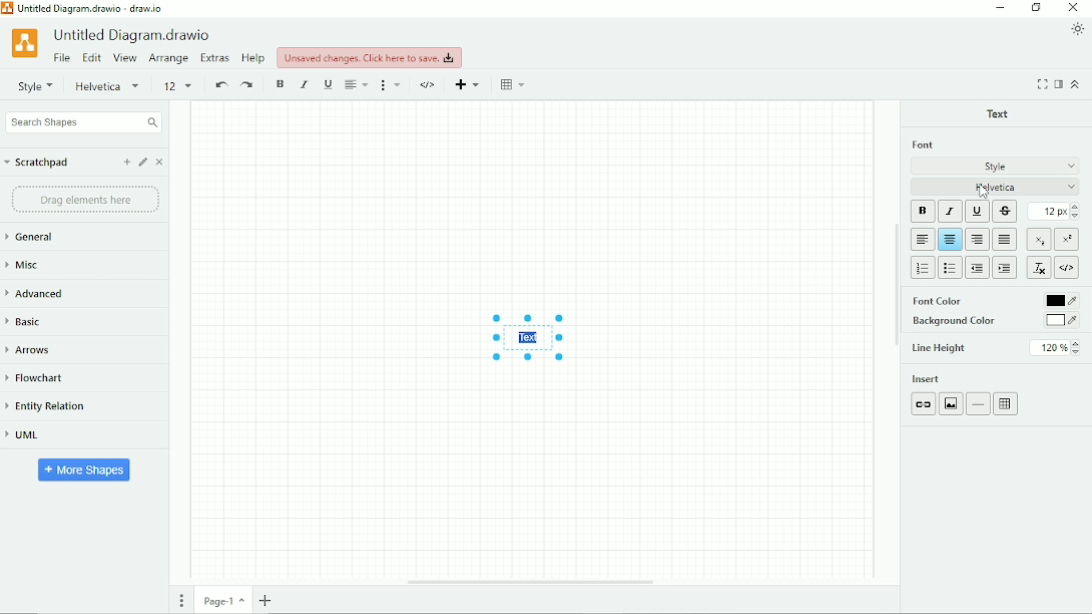 The width and height of the screenshot is (1092, 614). I want to click on Bold, so click(280, 84).